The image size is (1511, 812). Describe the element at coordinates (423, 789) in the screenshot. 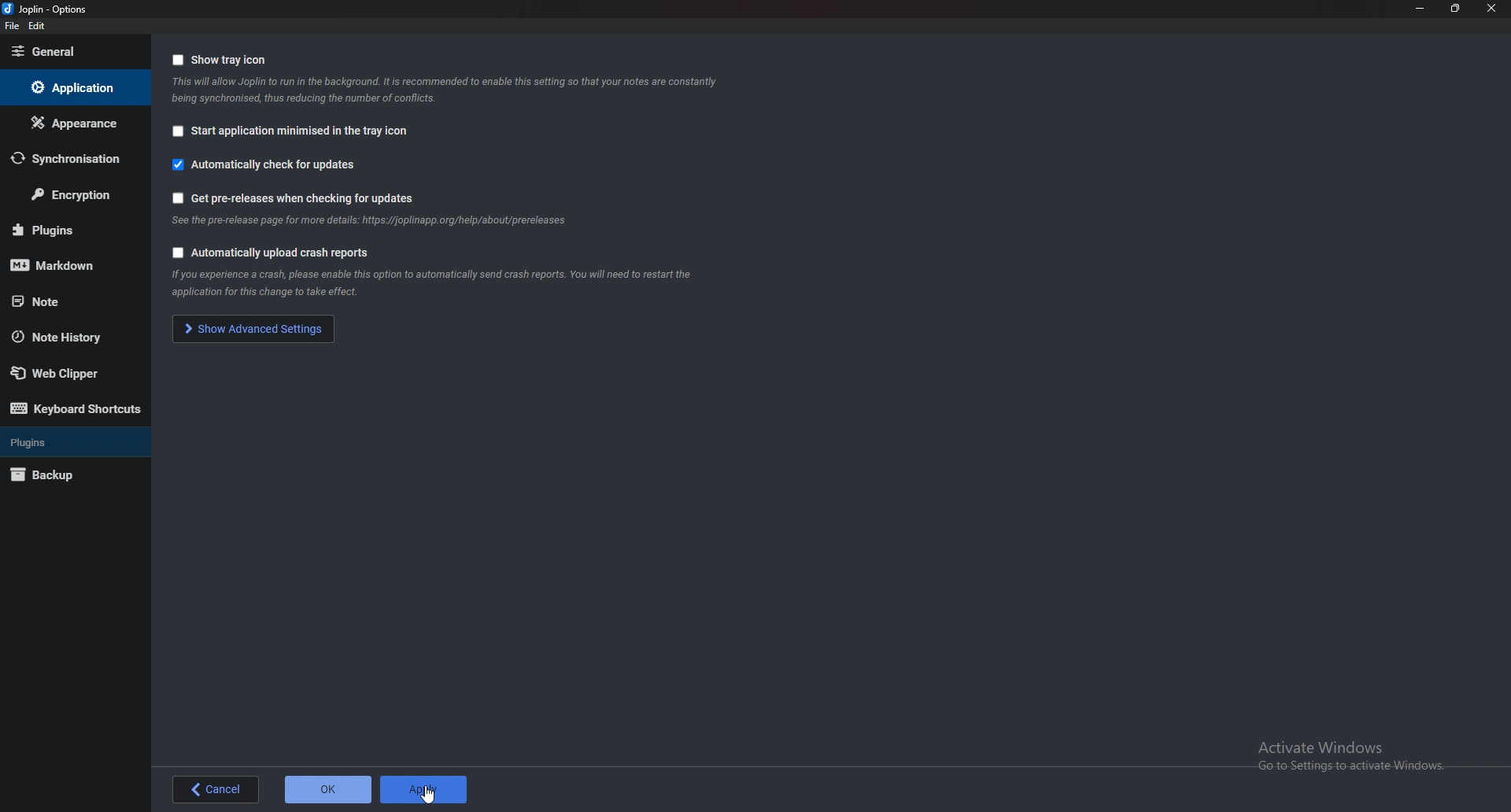

I see `Apply` at that location.